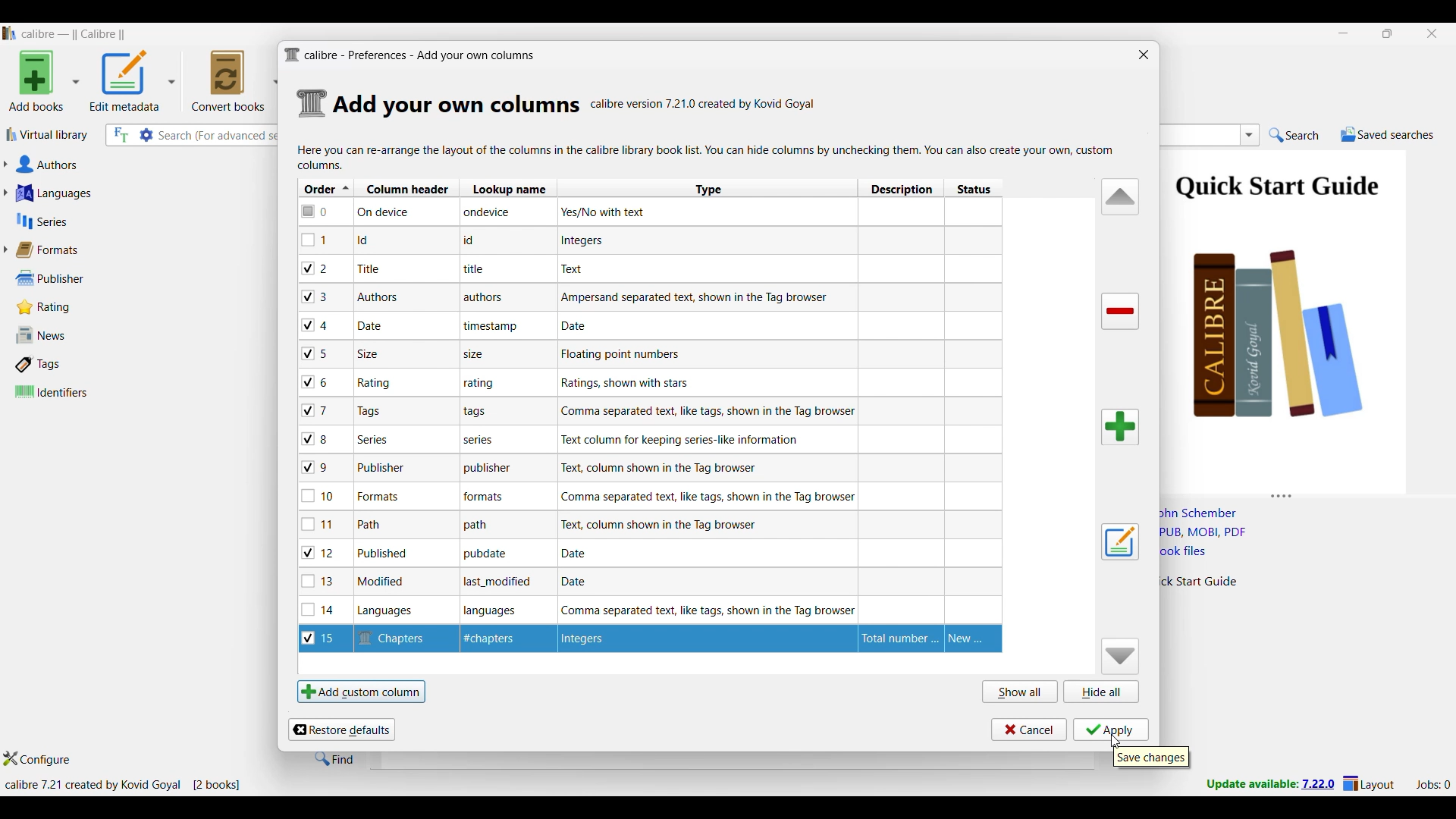  What do you see at coordinates (482, 271) in the screenshot?
I see `note` at bounding box center [482, 271].